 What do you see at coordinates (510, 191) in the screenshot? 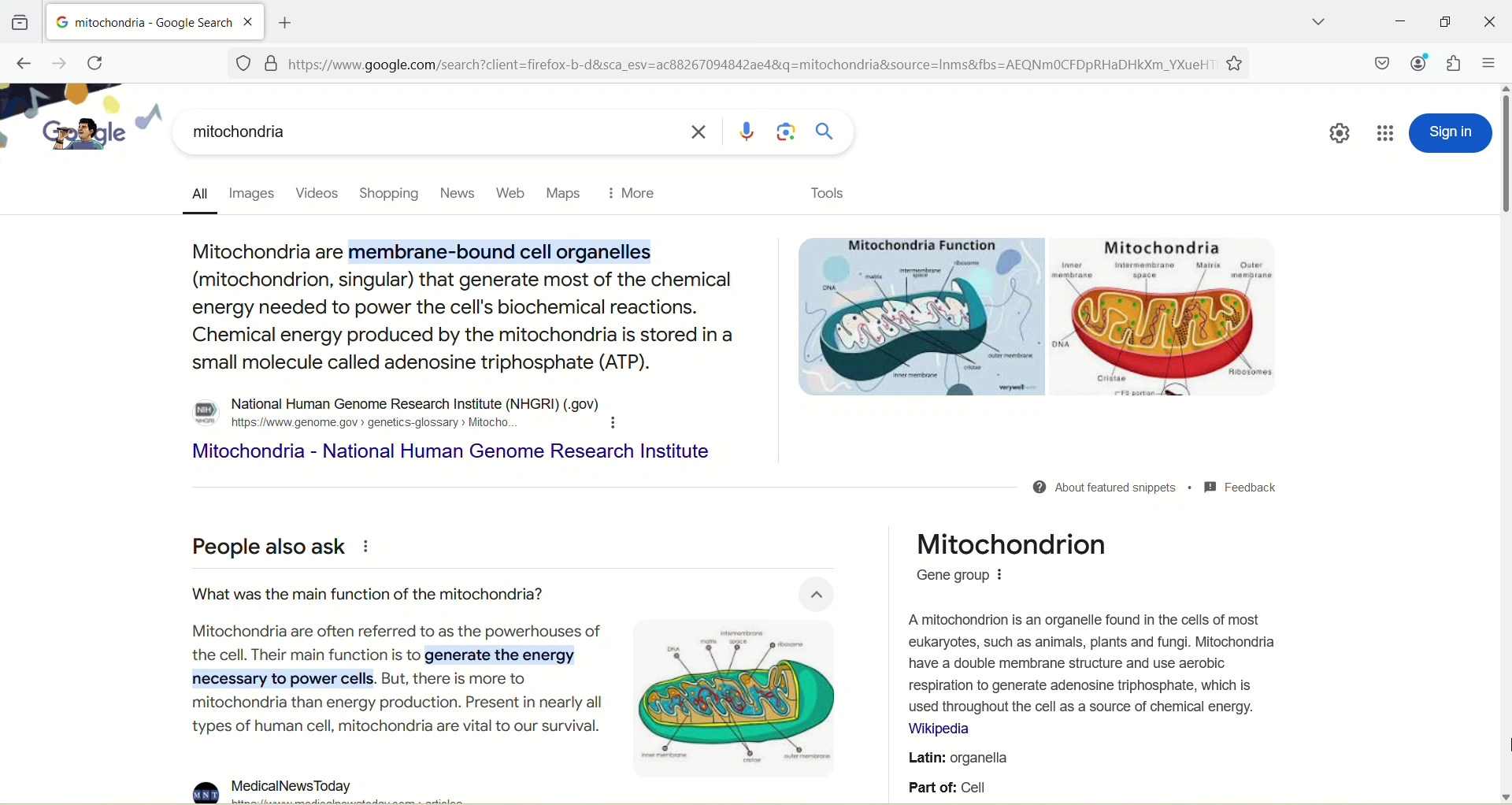
I see `` at bounding box center [510, 191].